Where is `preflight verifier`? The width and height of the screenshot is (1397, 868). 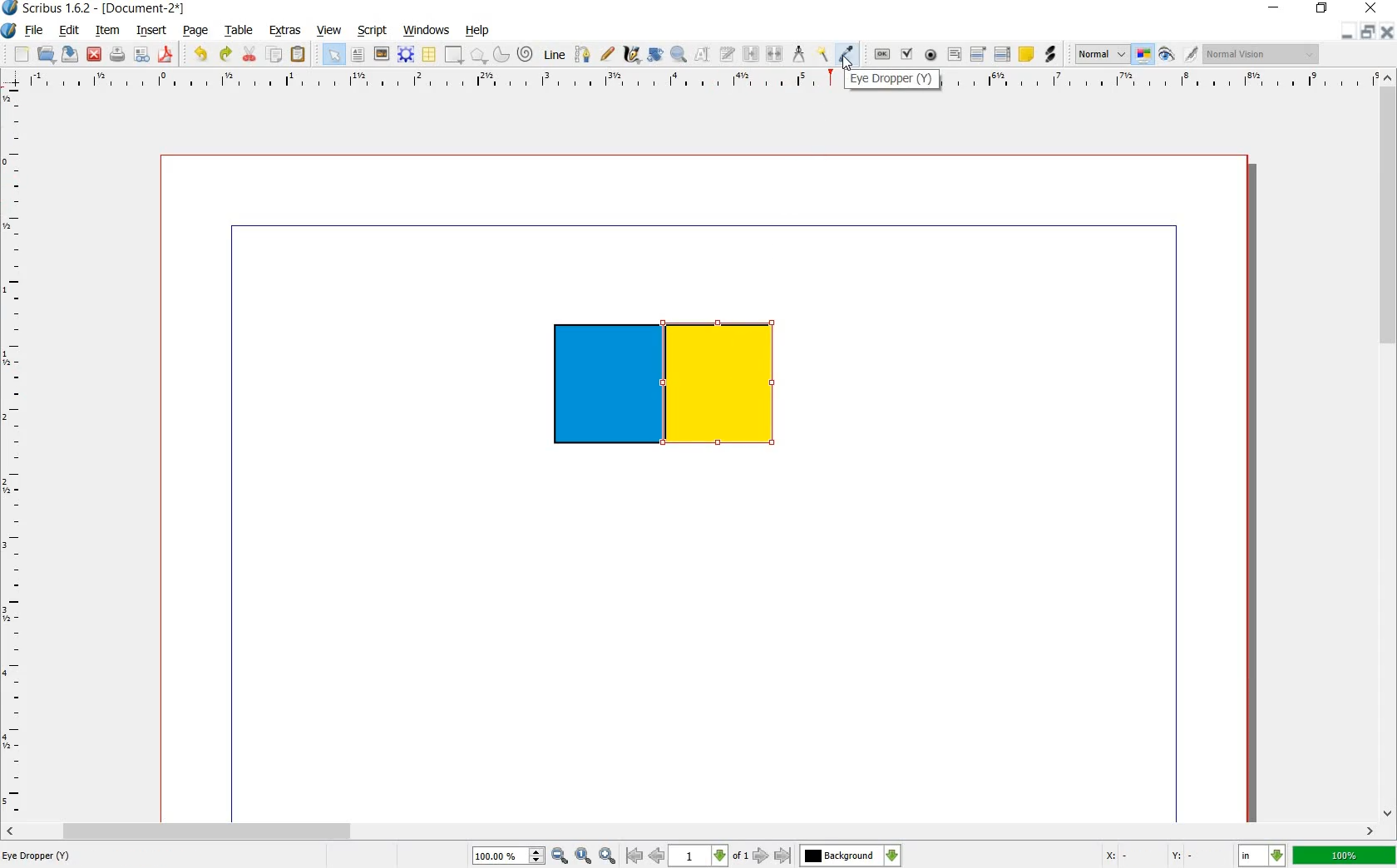
preflight verifier is located at coordinates (141, 54).